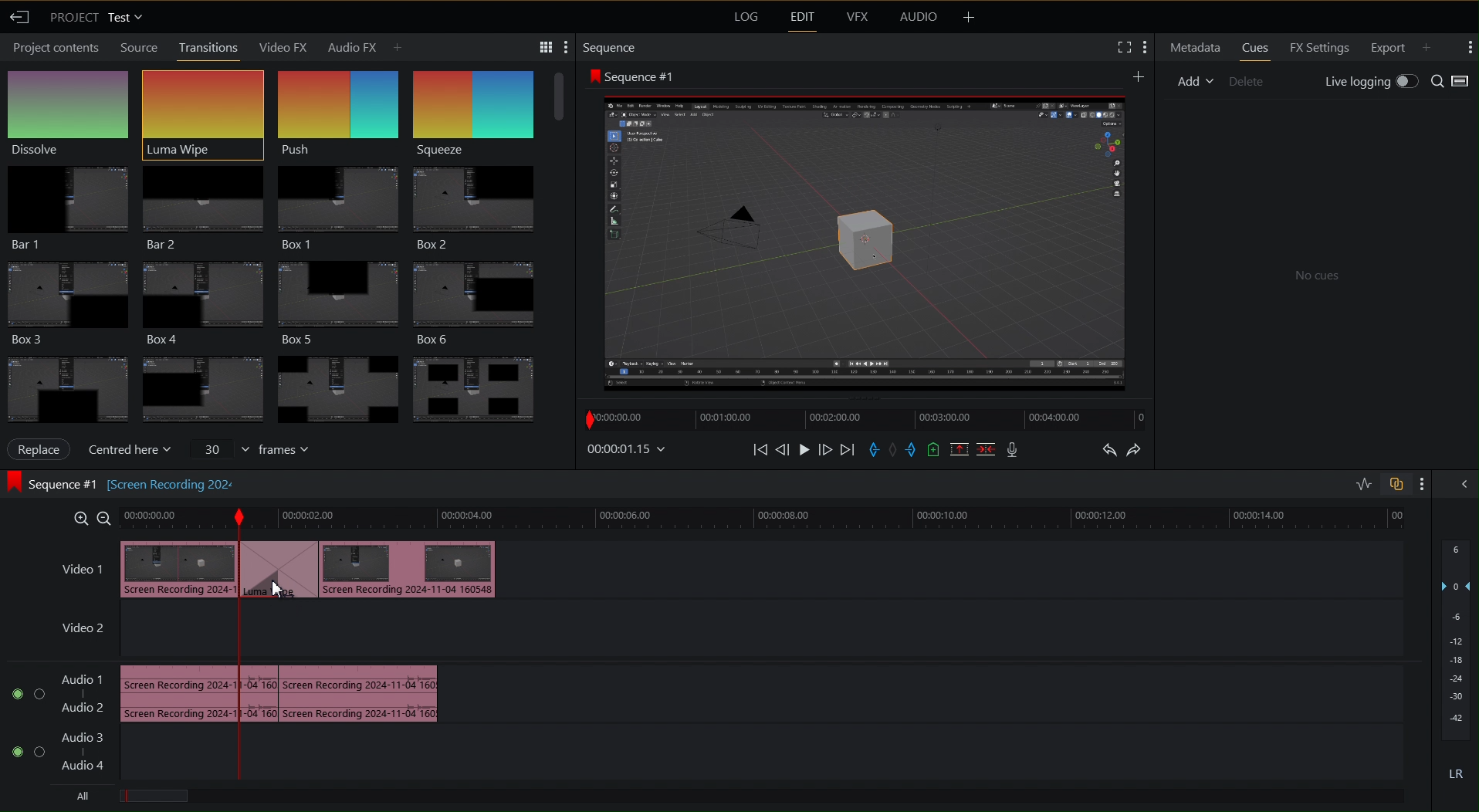 This screenshot has height=812, width=1479. I want to click on Add Cue, so click(932, 451).